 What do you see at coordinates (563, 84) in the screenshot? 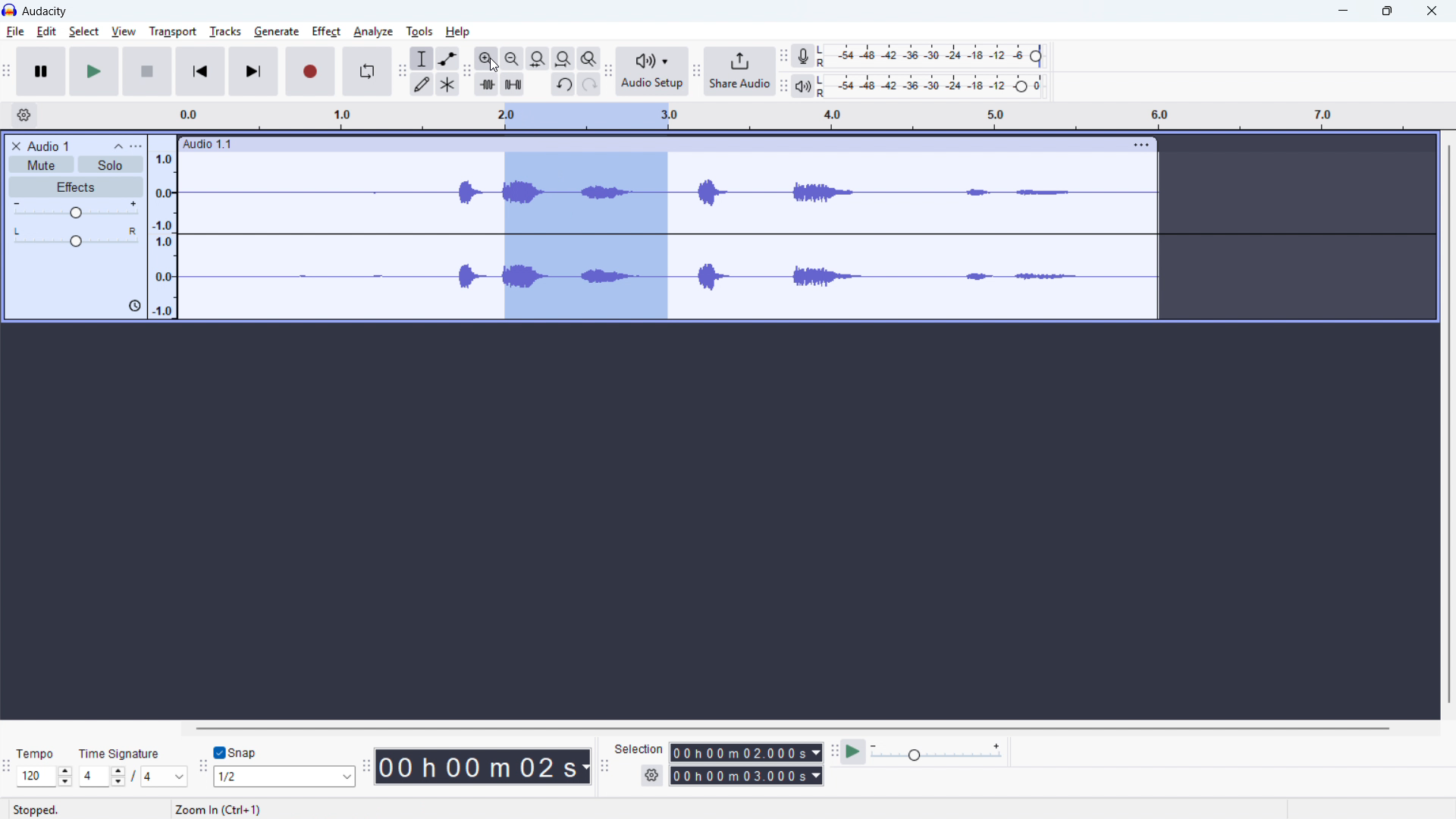
I see `Undo` at bounding box center [563, 84].